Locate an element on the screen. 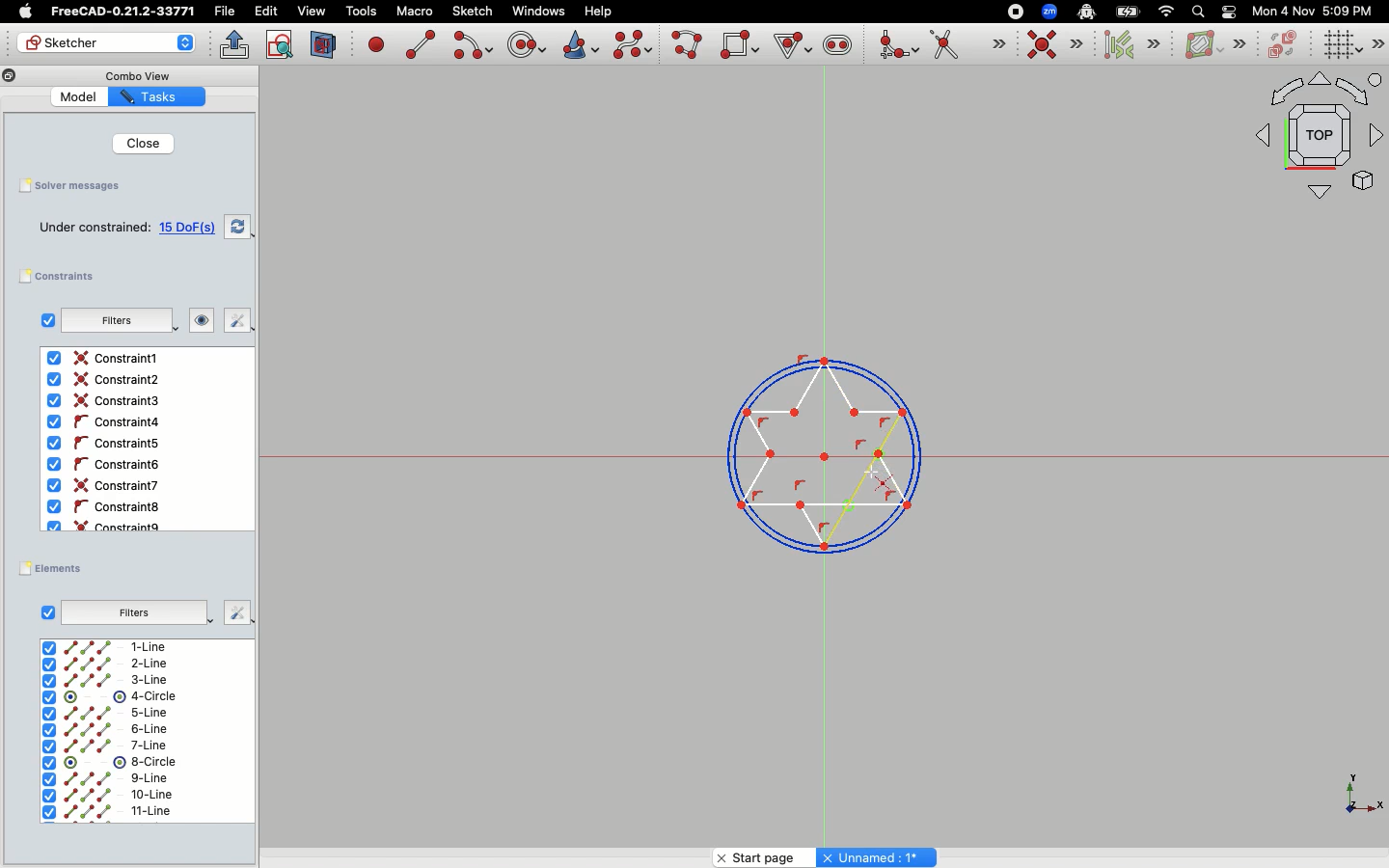  Mon 4 Nov 5:09 PM is located at coordinates (1315, 12).